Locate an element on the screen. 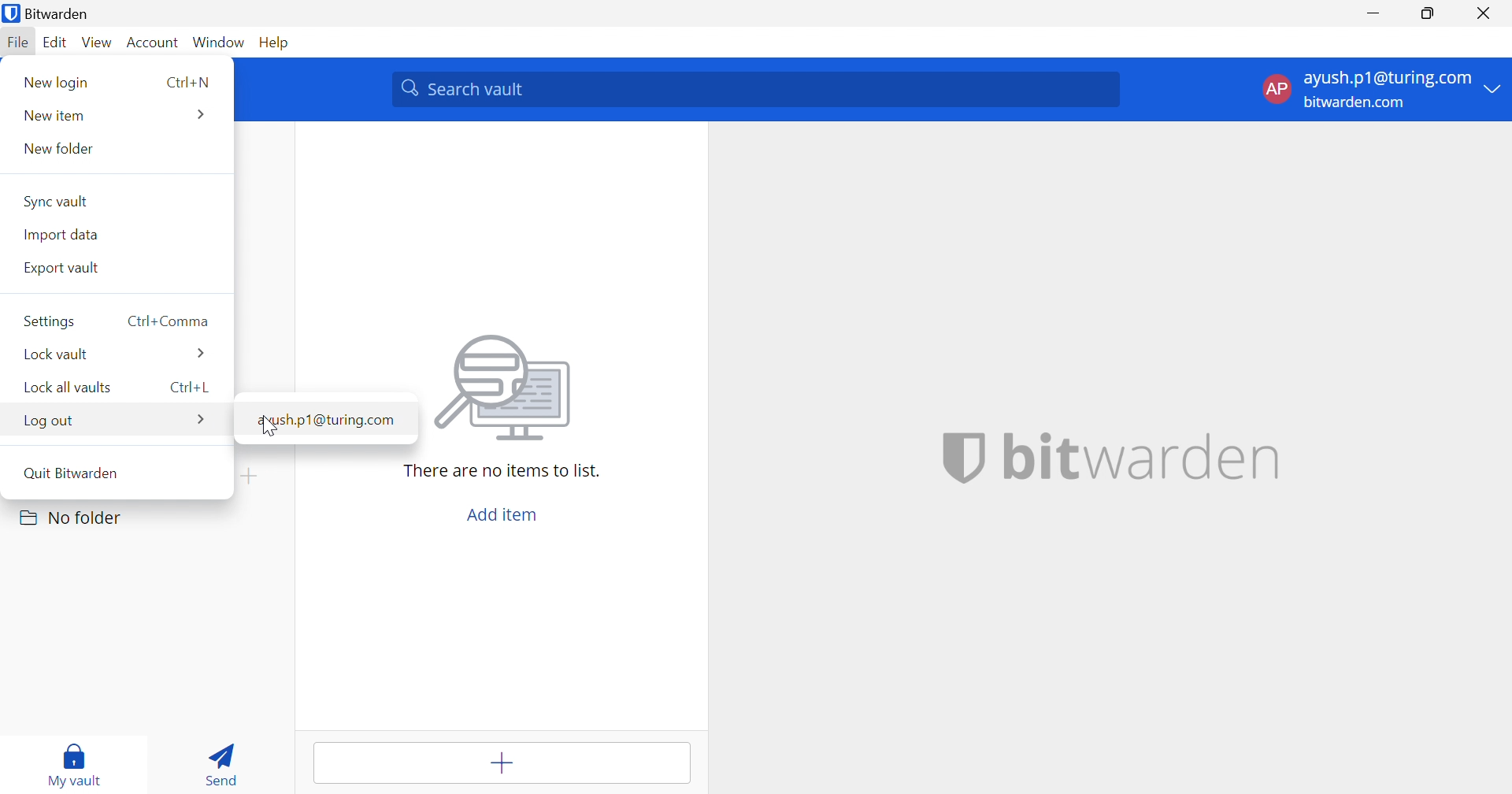 The width and height of the screenshot is (1512, 794). Restore Down is located at coordinates (1426, 13).